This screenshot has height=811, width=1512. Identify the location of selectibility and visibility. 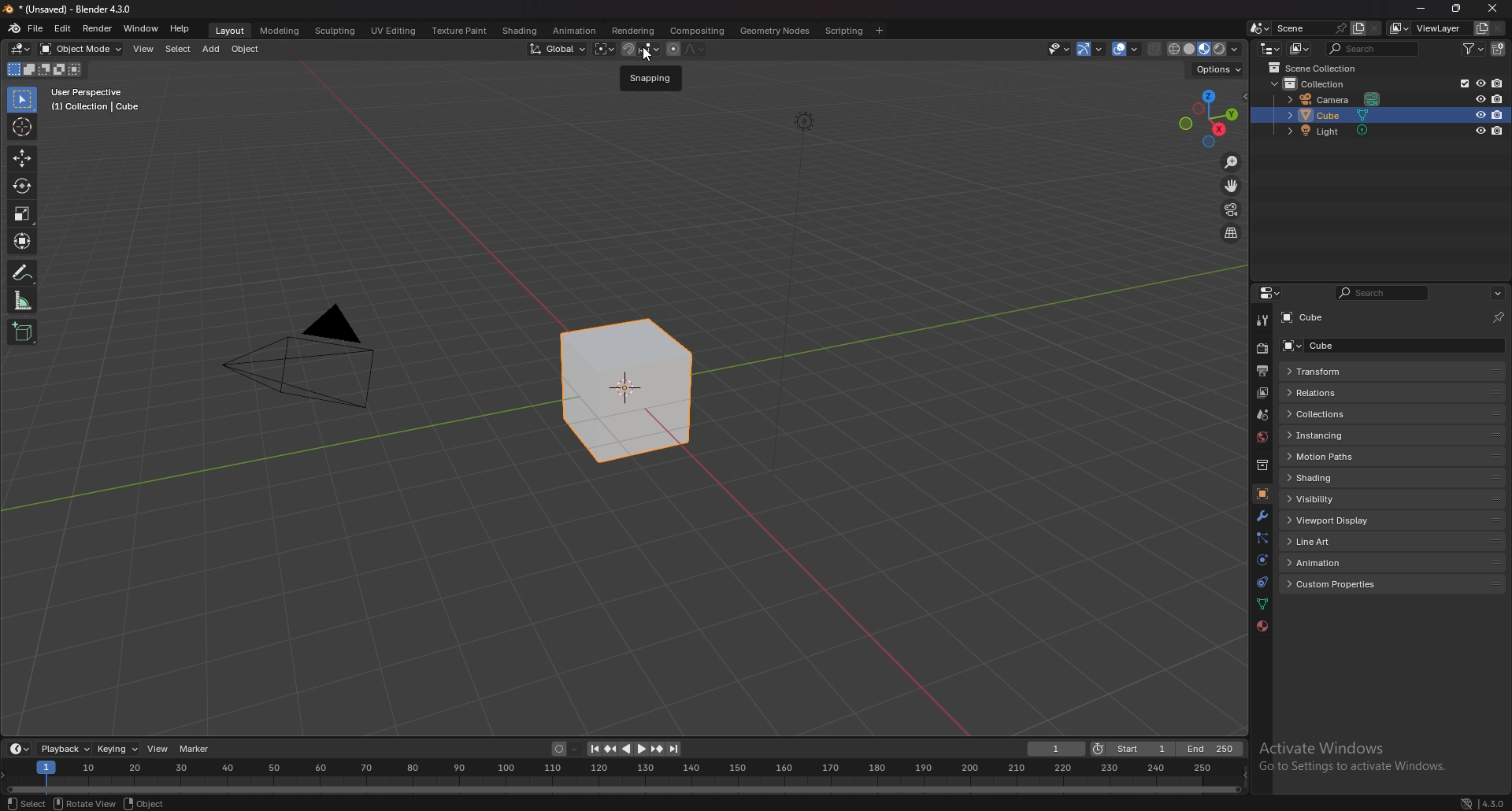
(1060, 50).